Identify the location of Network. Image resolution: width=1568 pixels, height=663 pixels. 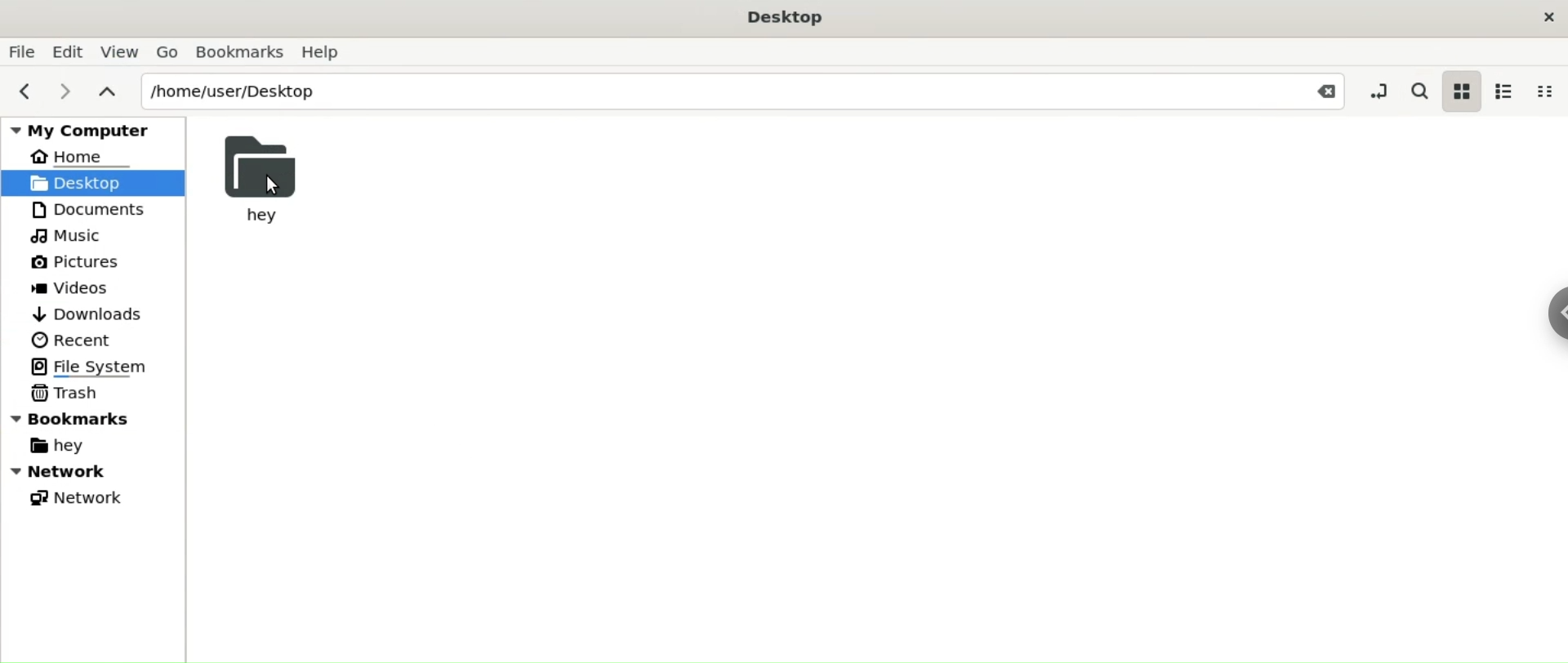
(77, 500).